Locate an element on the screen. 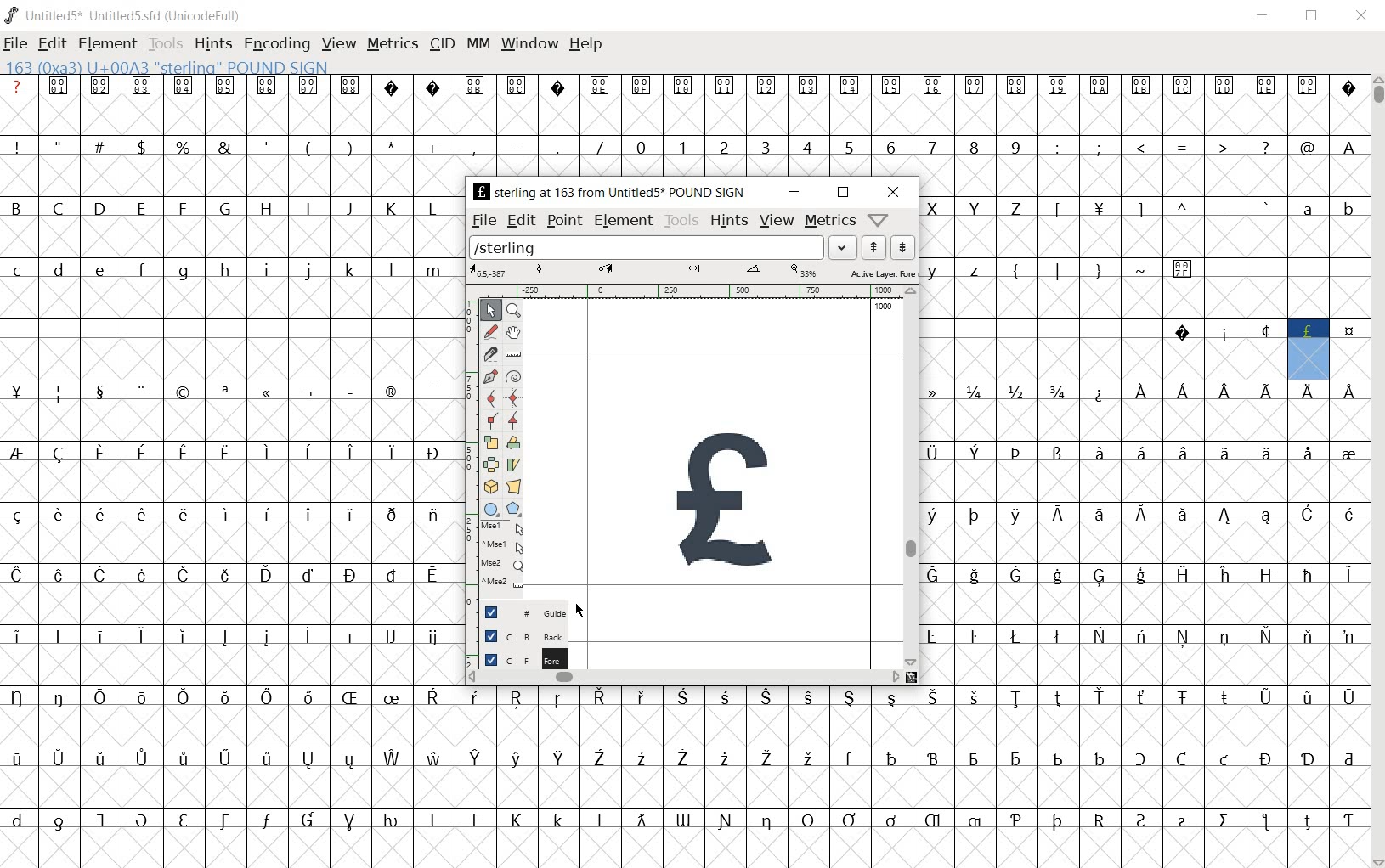 Image resolution: width=1385 pixels, height=868 pixels. b is located at coordinates (1347, 208).